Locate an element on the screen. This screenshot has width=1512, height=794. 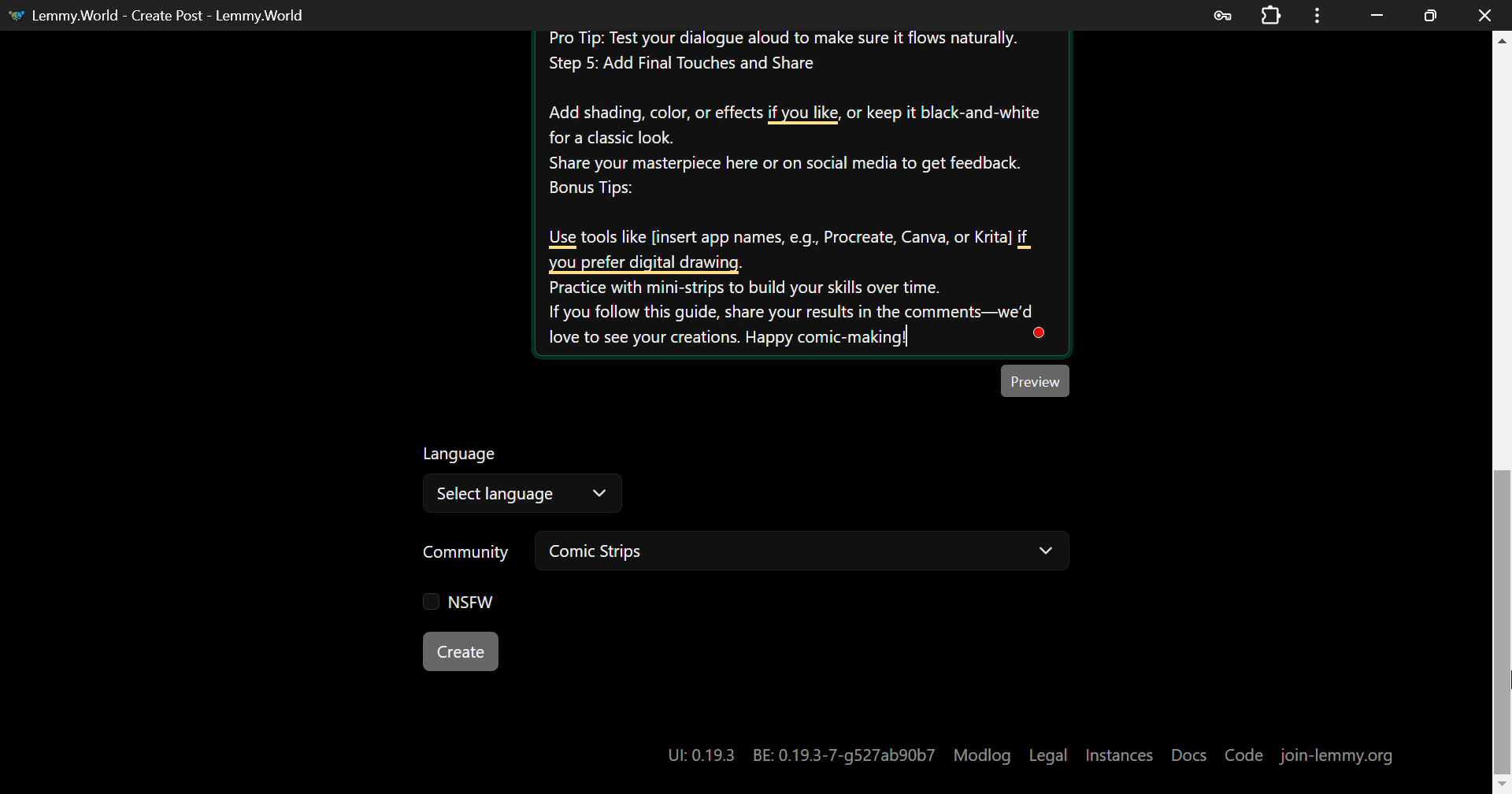
Code is located at coordinates (1247, 755).